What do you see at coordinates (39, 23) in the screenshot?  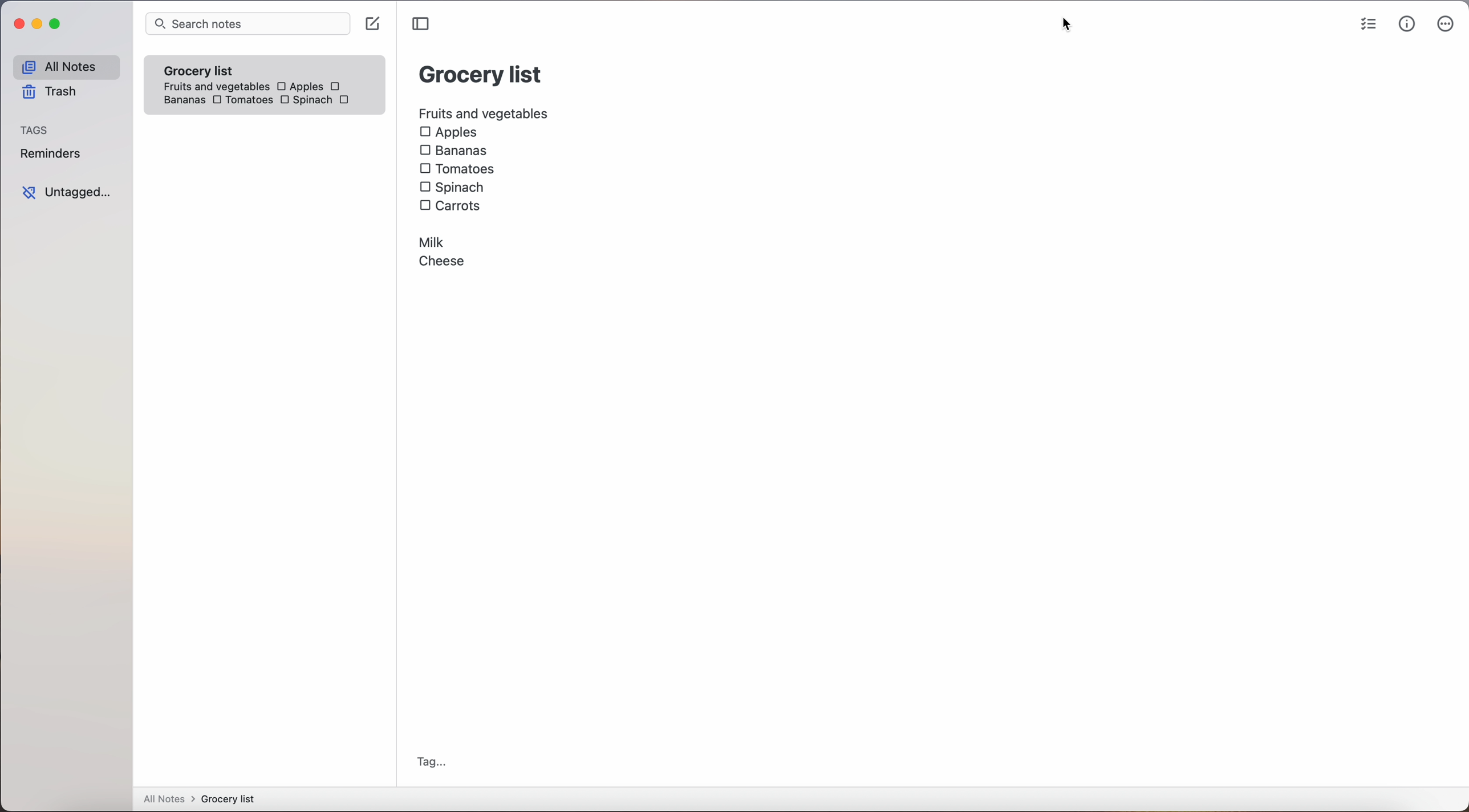 I see `minimize` at bounding box center [39, 23].